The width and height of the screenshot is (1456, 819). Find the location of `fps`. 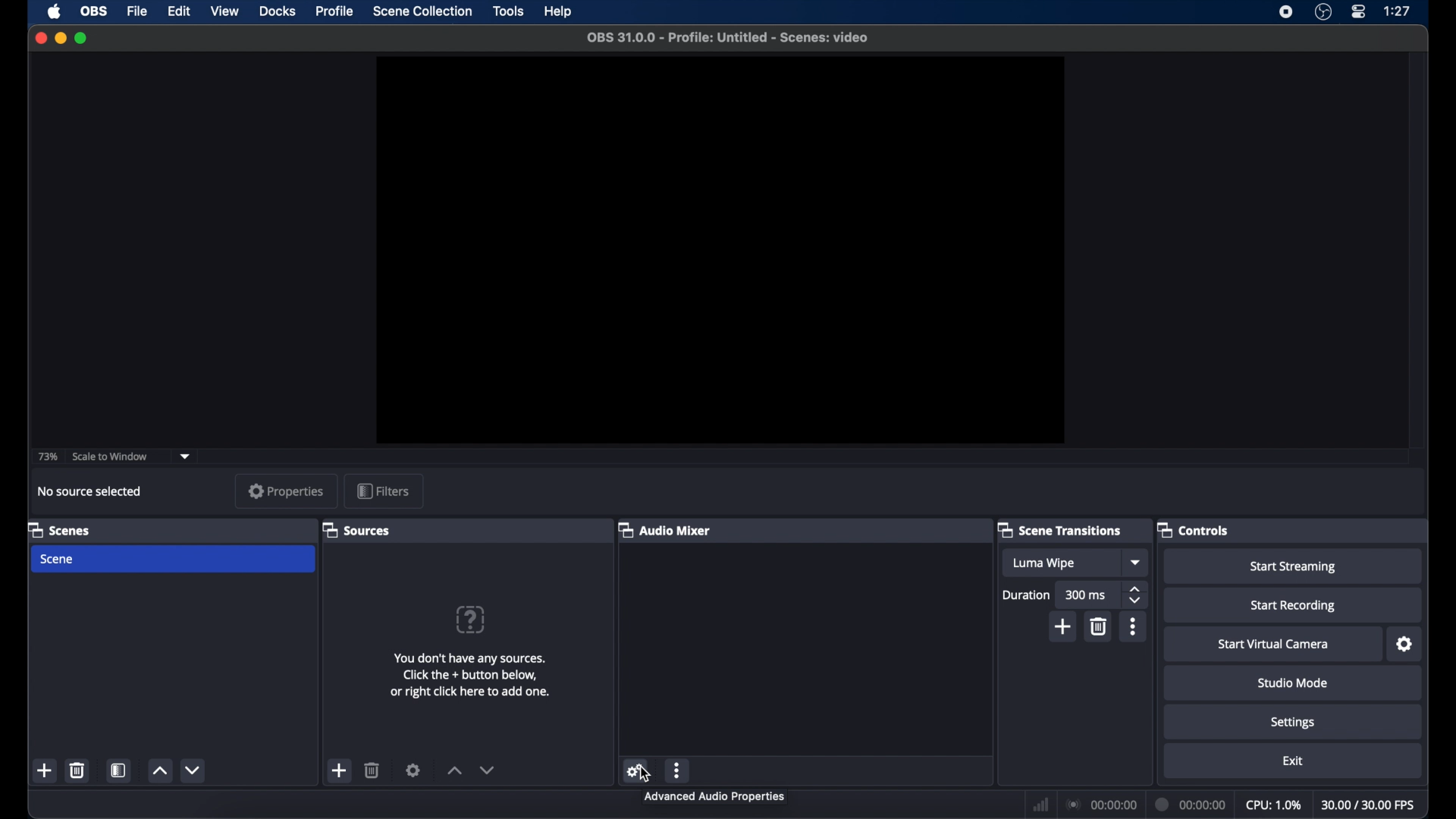

fps is located at coordinates (1370, 805).